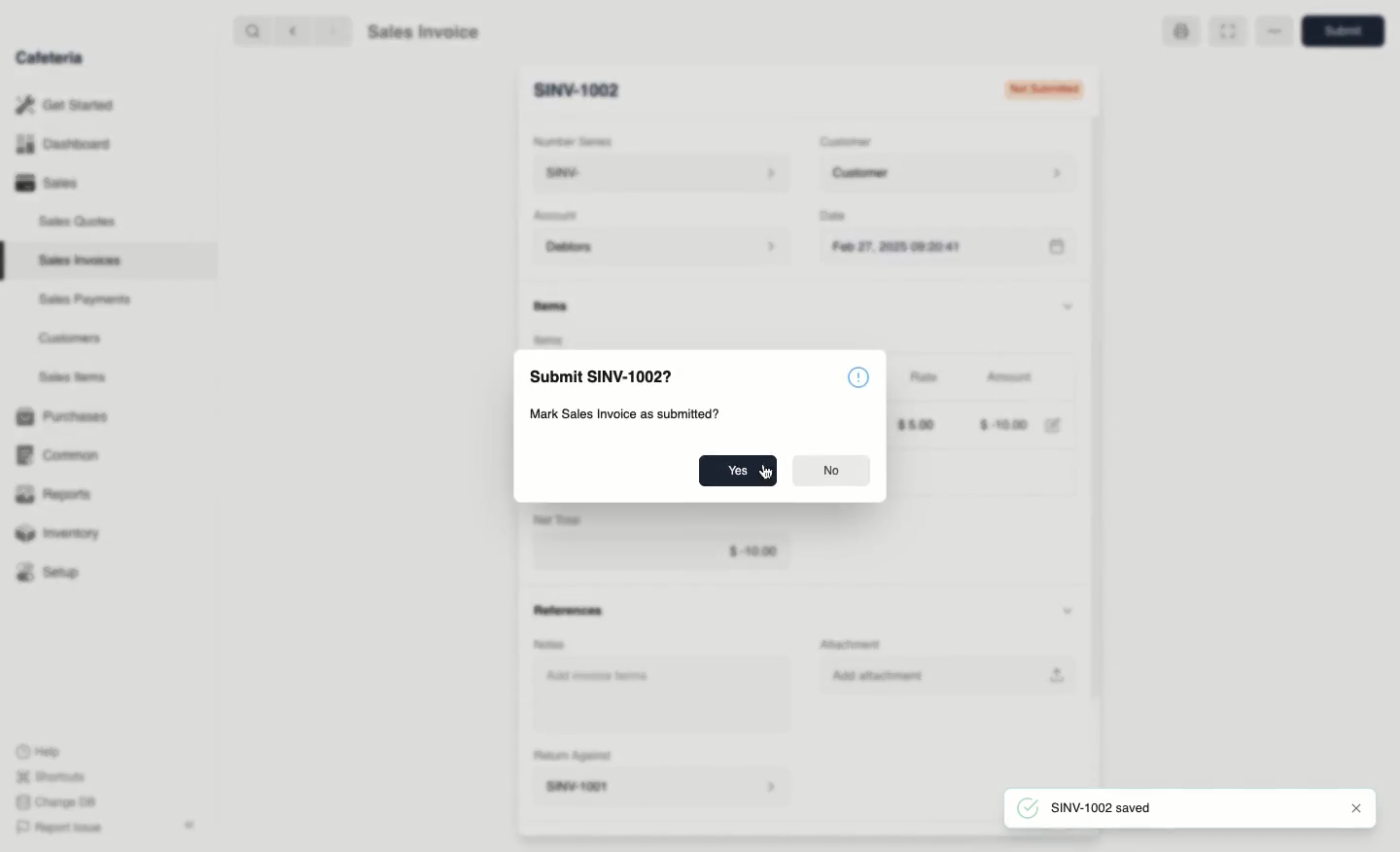  Describe the element at coordinates (561, 216) in the screenshot. I see `Account` at that location.